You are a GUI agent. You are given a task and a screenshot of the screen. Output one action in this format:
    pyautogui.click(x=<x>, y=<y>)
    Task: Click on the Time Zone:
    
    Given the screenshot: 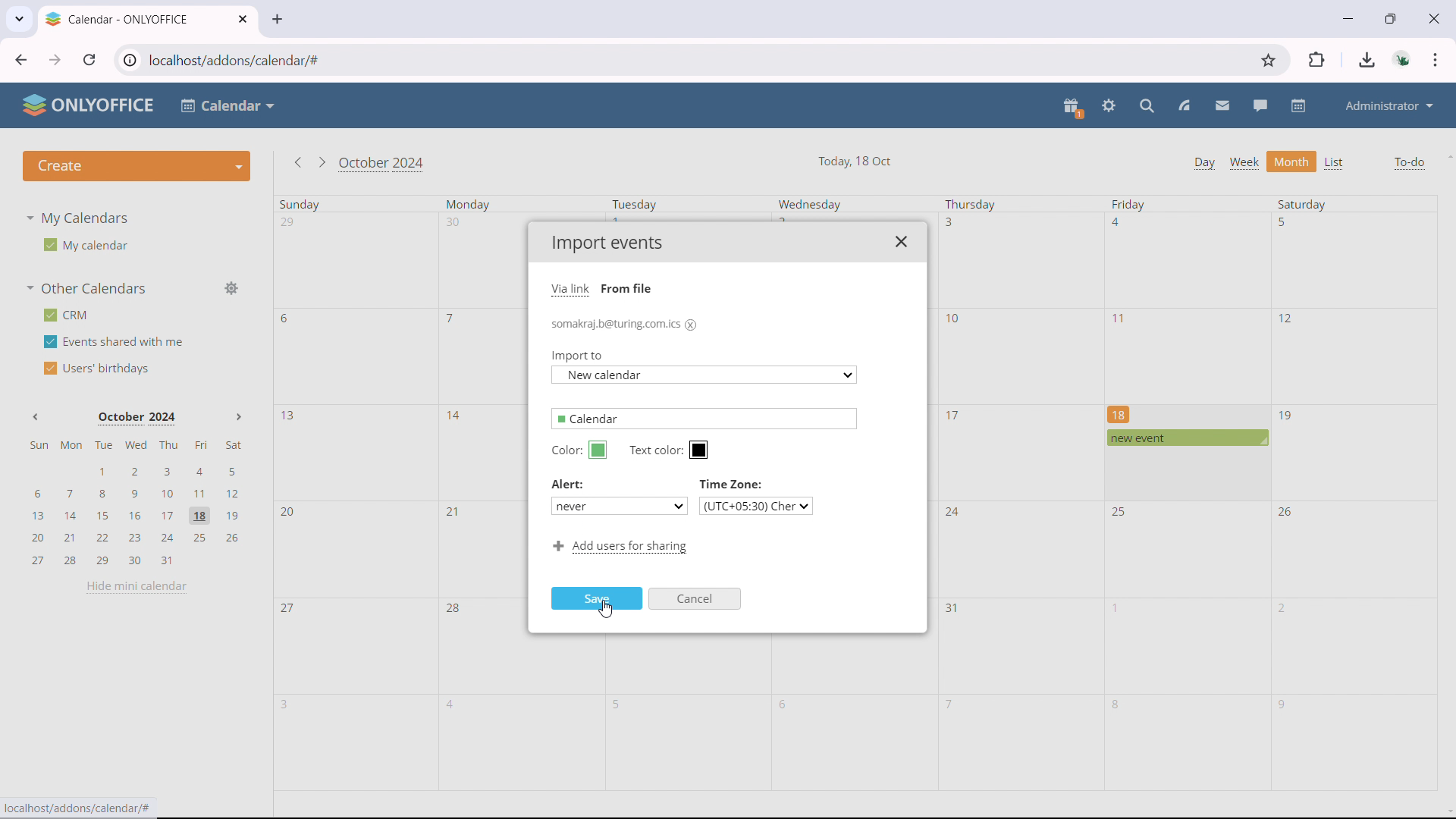 What is the action you would take?
    pyautogui.click(x=733, y=485)
    